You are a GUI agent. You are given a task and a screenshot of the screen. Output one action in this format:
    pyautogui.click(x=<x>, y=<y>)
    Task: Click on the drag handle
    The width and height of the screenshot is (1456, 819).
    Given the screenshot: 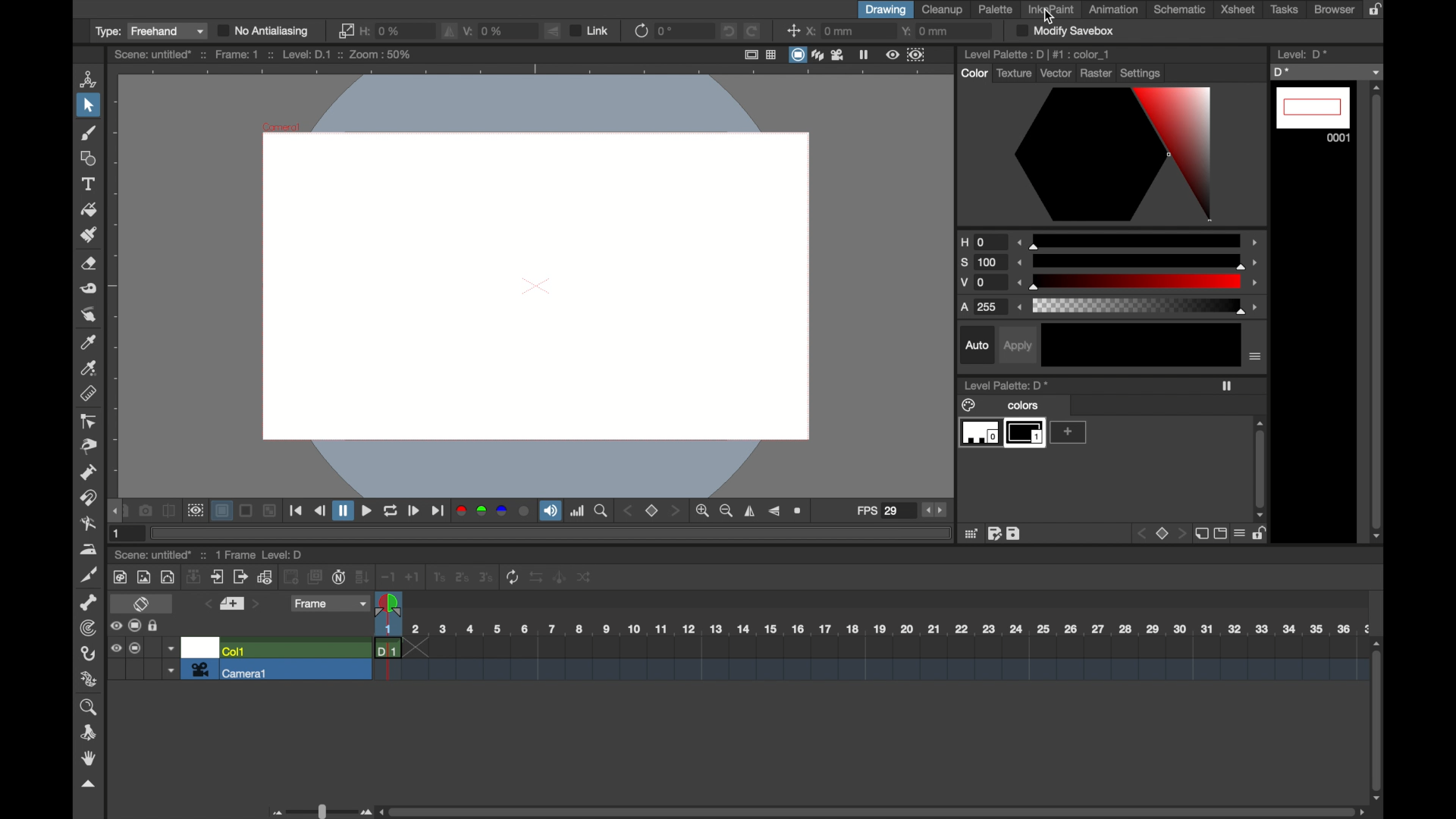 What is the action you would take?
    pyautogui.click(x=115, y=510)
    